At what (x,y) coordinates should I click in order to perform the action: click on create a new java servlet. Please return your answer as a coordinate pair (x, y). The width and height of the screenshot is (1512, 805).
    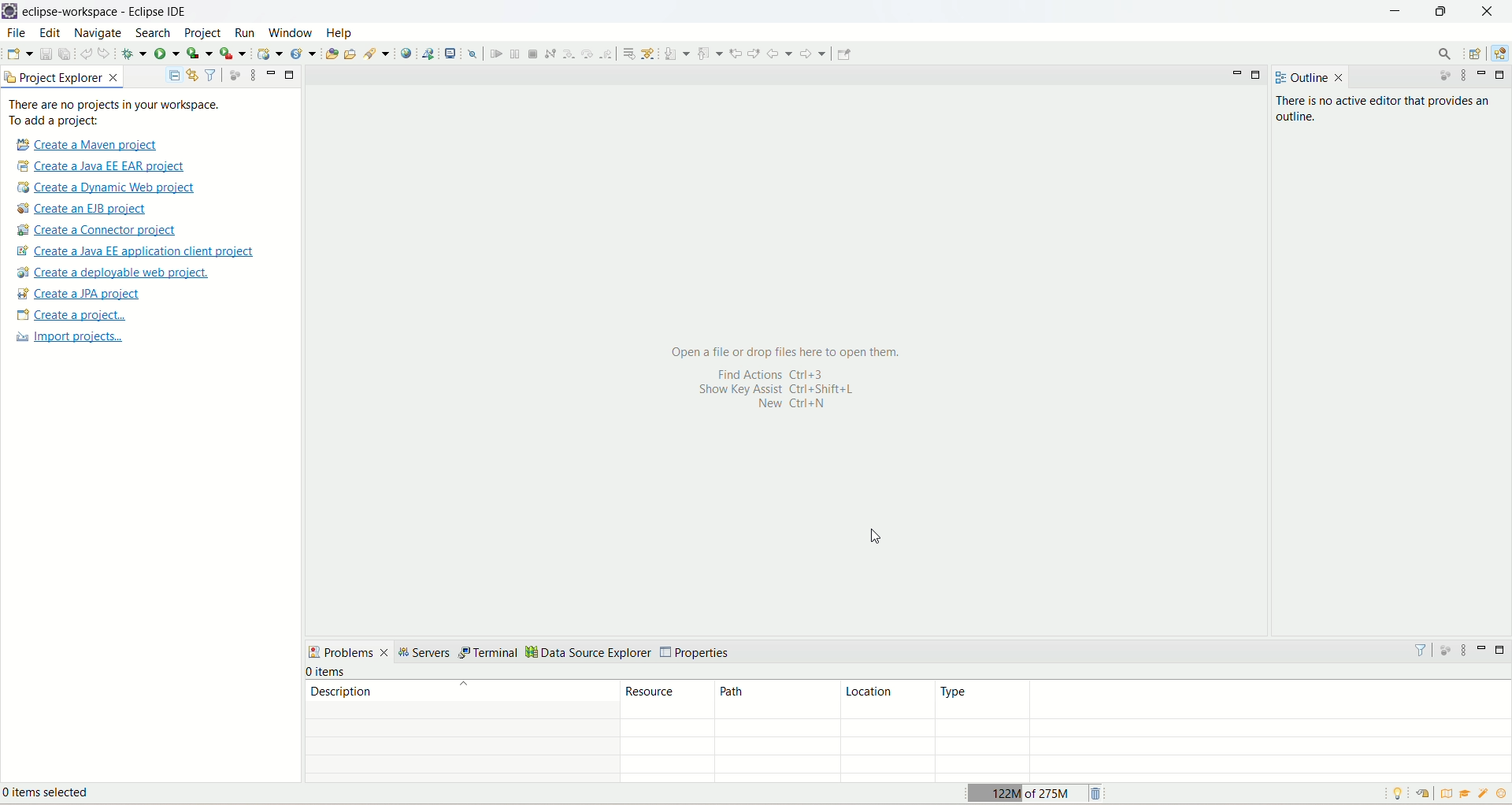
    Looking at the image, I should click on (304, 54).